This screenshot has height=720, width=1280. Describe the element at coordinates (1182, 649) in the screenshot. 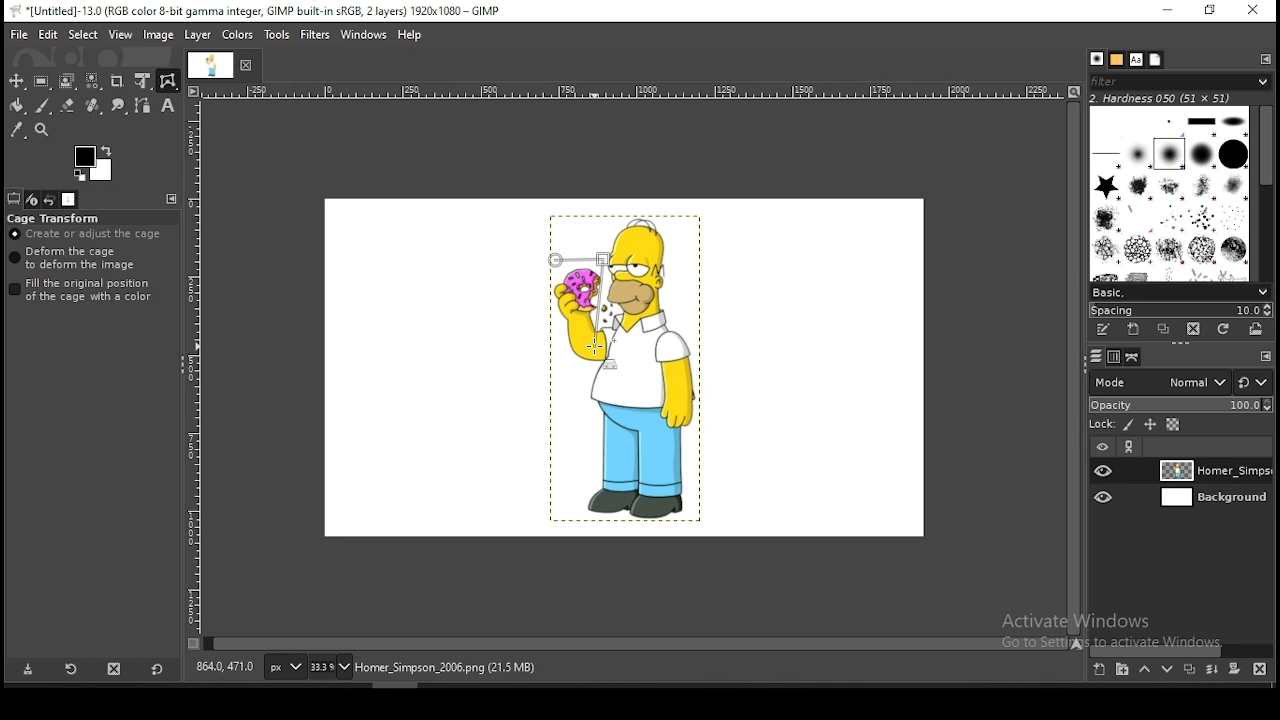

I see `scroll bar` at that location.